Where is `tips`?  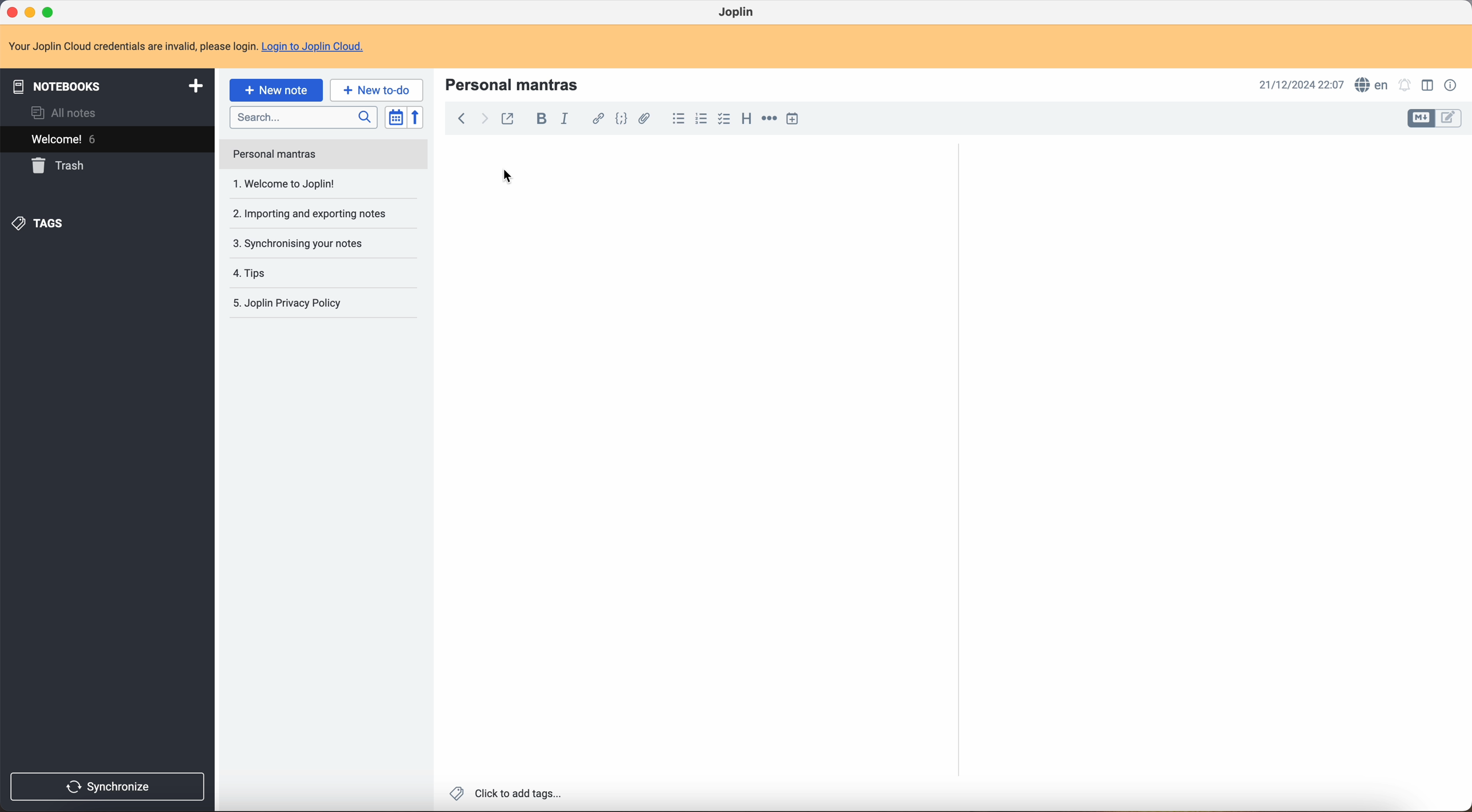 tips is located at coordinates (294, 245).